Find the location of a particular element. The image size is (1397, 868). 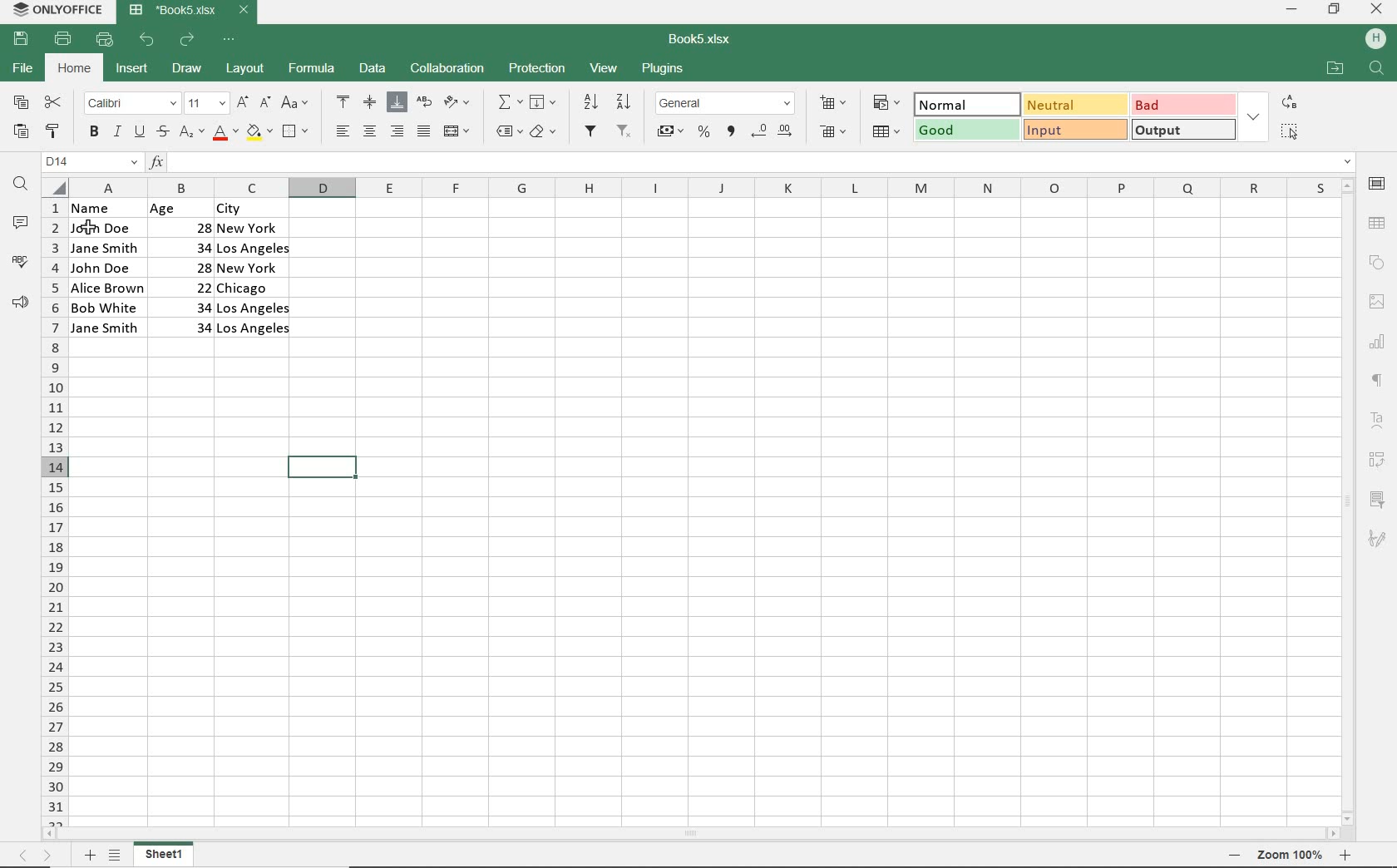

FONT COLOR is located at coordinates (225, 133).